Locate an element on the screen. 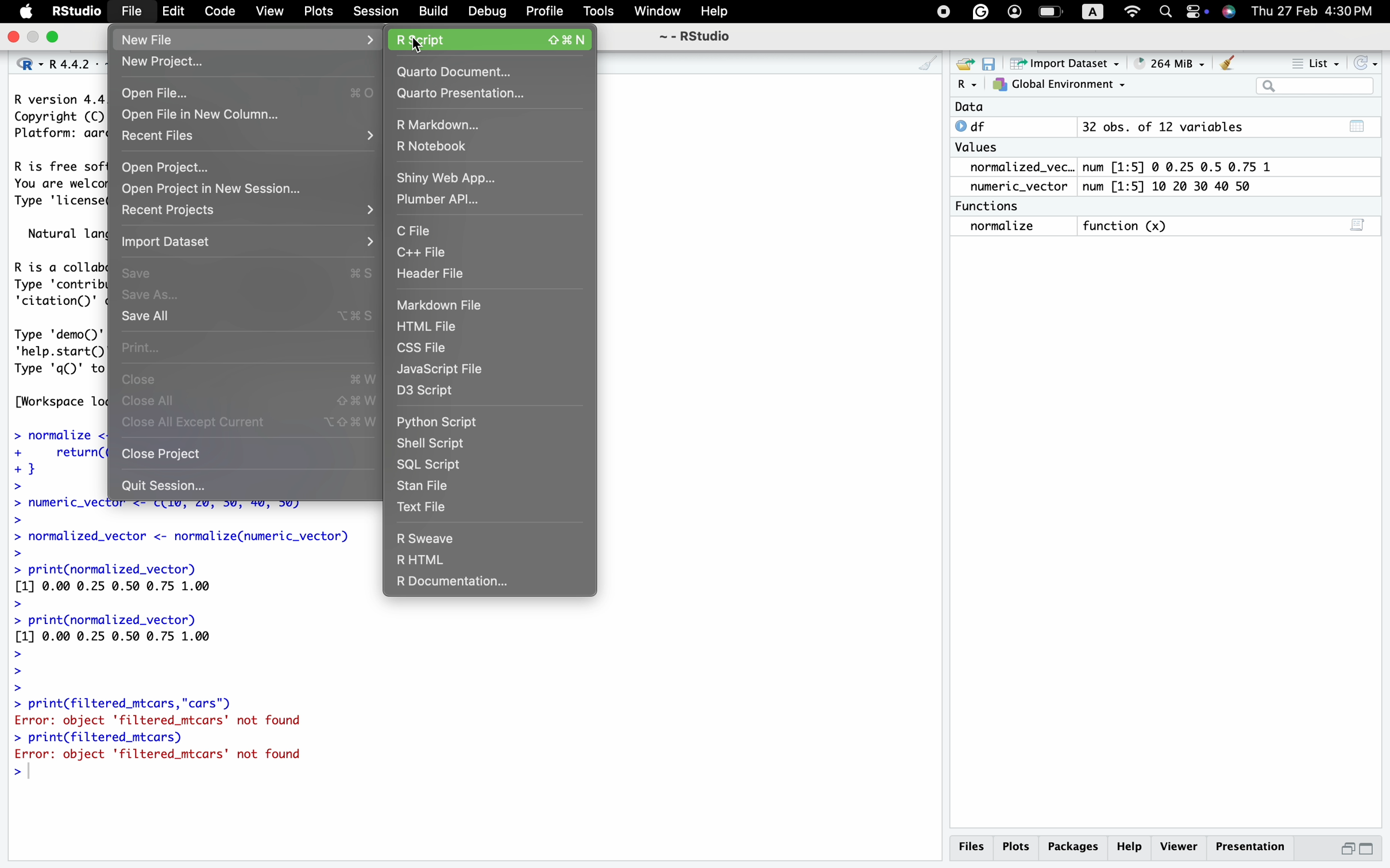  python script is located at coordinates (480, 422).